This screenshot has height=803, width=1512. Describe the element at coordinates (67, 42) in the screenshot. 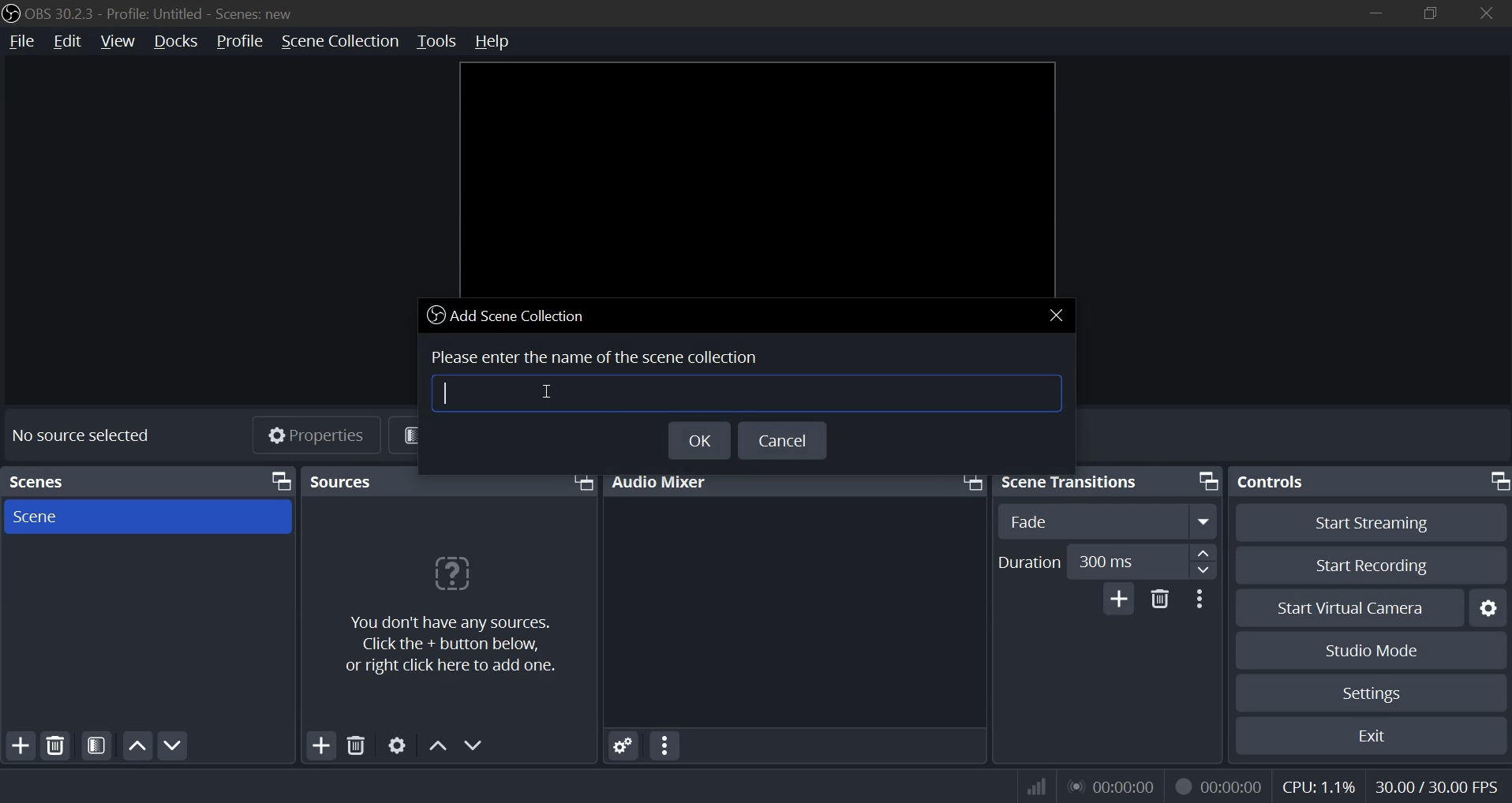

I see `edit` at that location.